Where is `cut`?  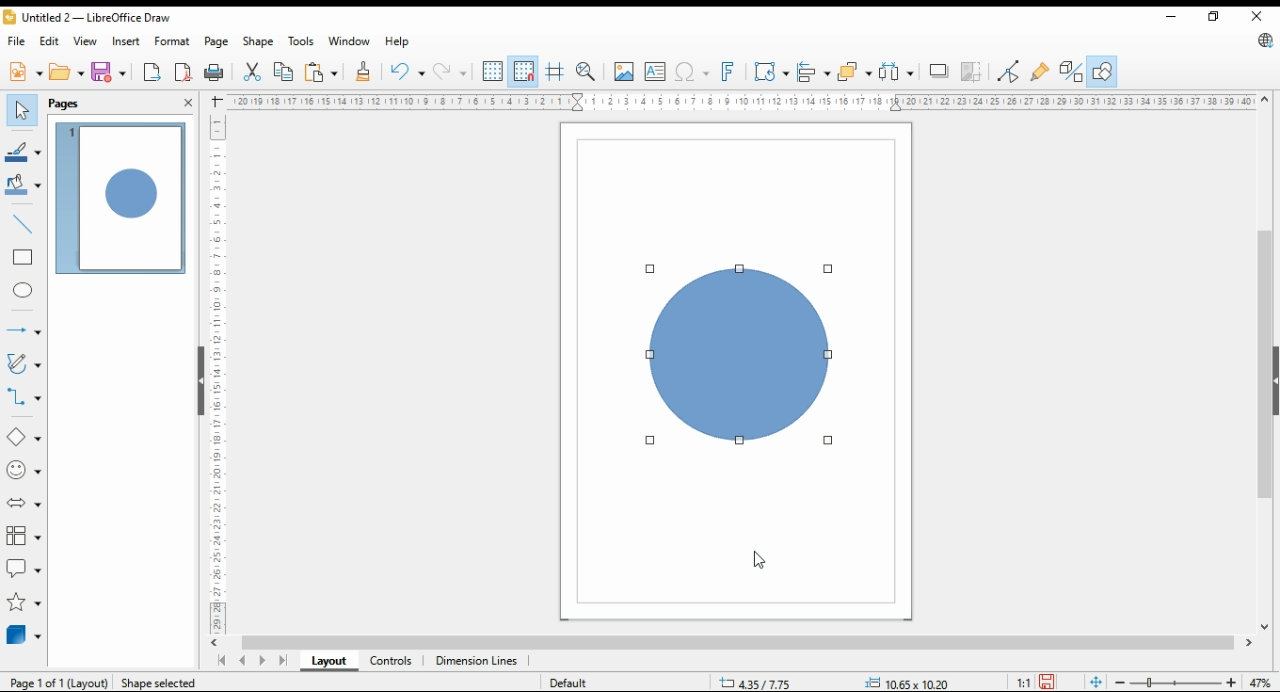 cut is located at coordinates (253, 71).